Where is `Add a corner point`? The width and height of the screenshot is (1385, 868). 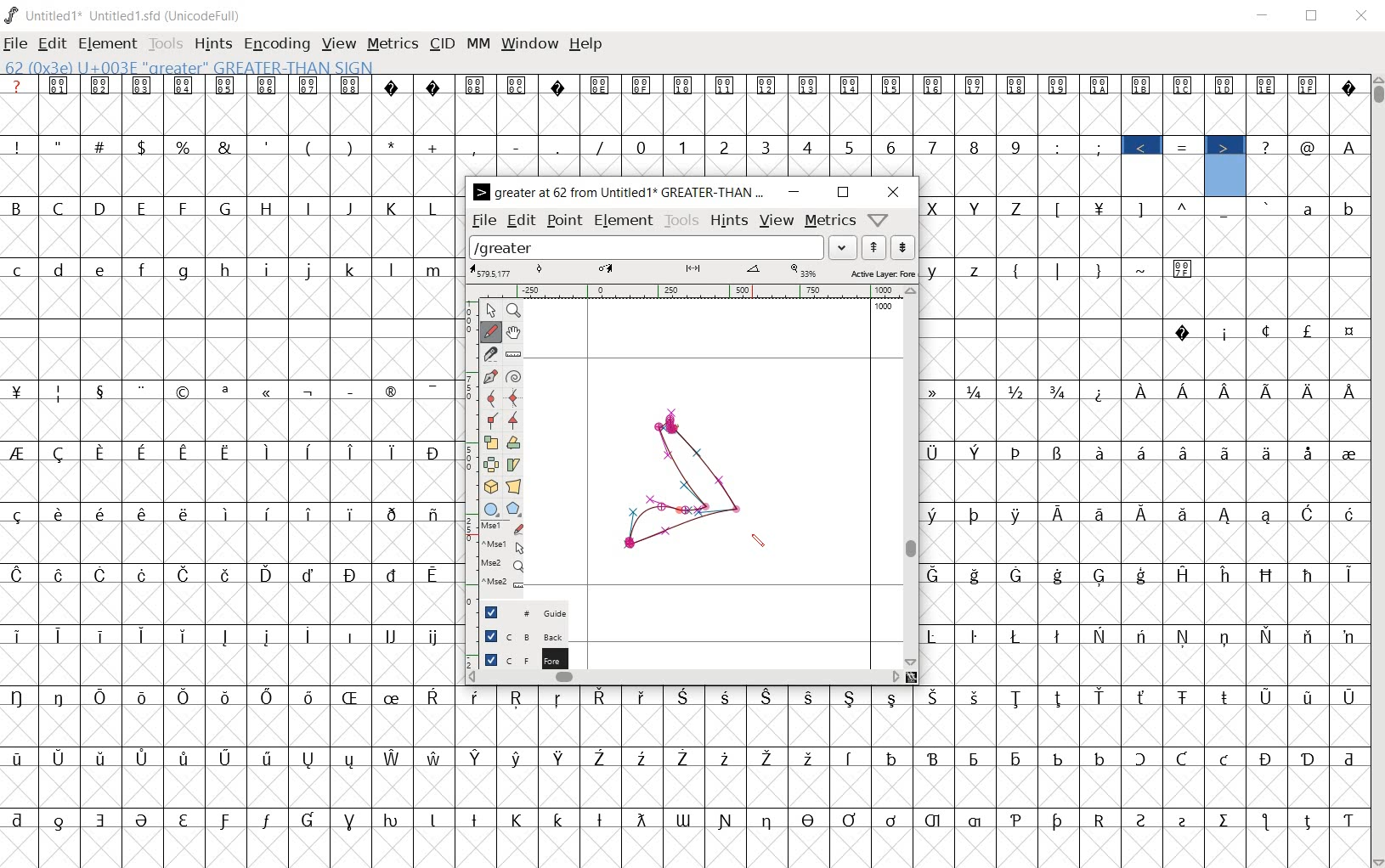
Add a corner point is located at coordinates (514, 420).